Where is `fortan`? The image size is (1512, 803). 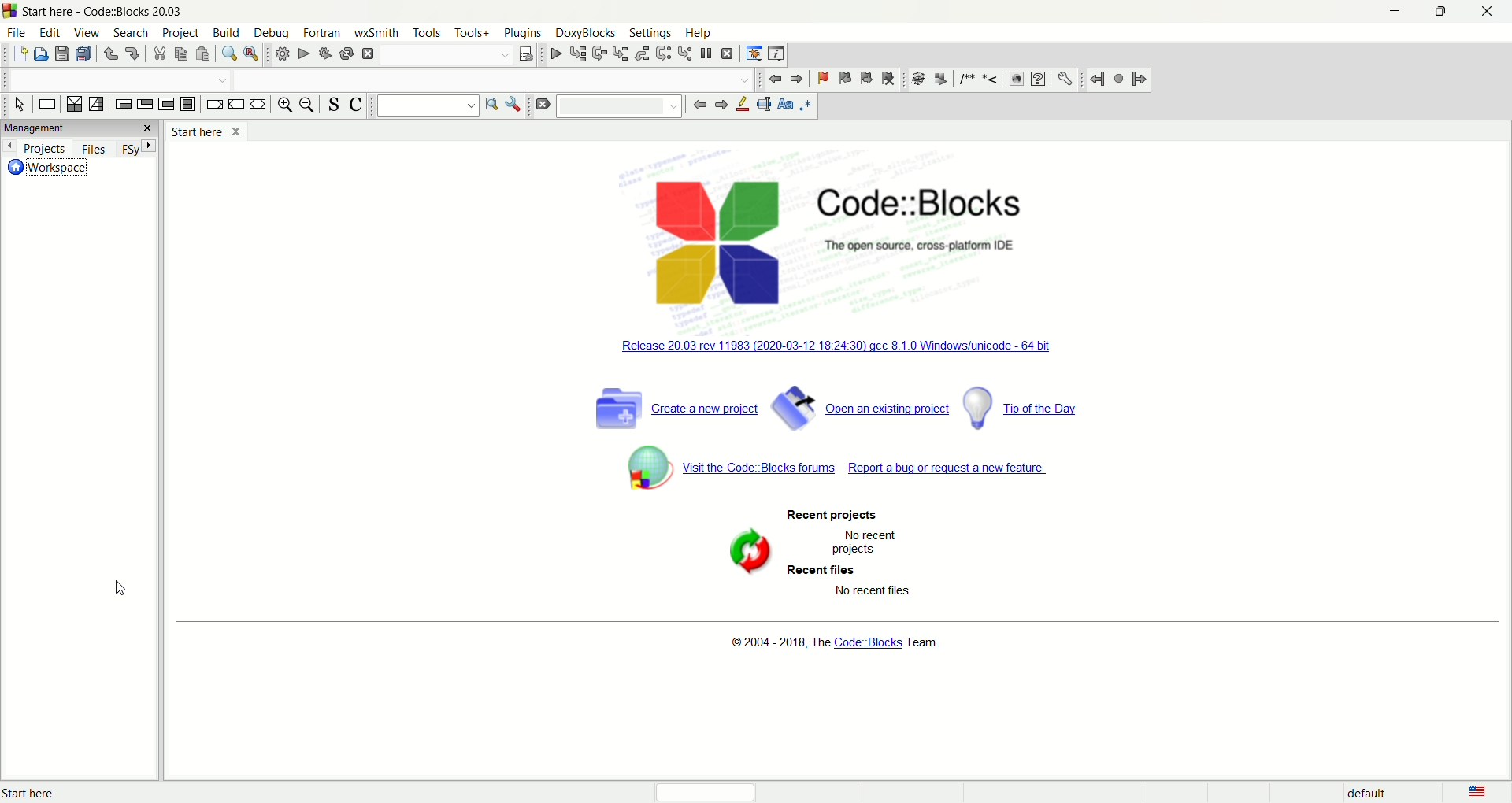 fortan is located at coordinates (322, 32).